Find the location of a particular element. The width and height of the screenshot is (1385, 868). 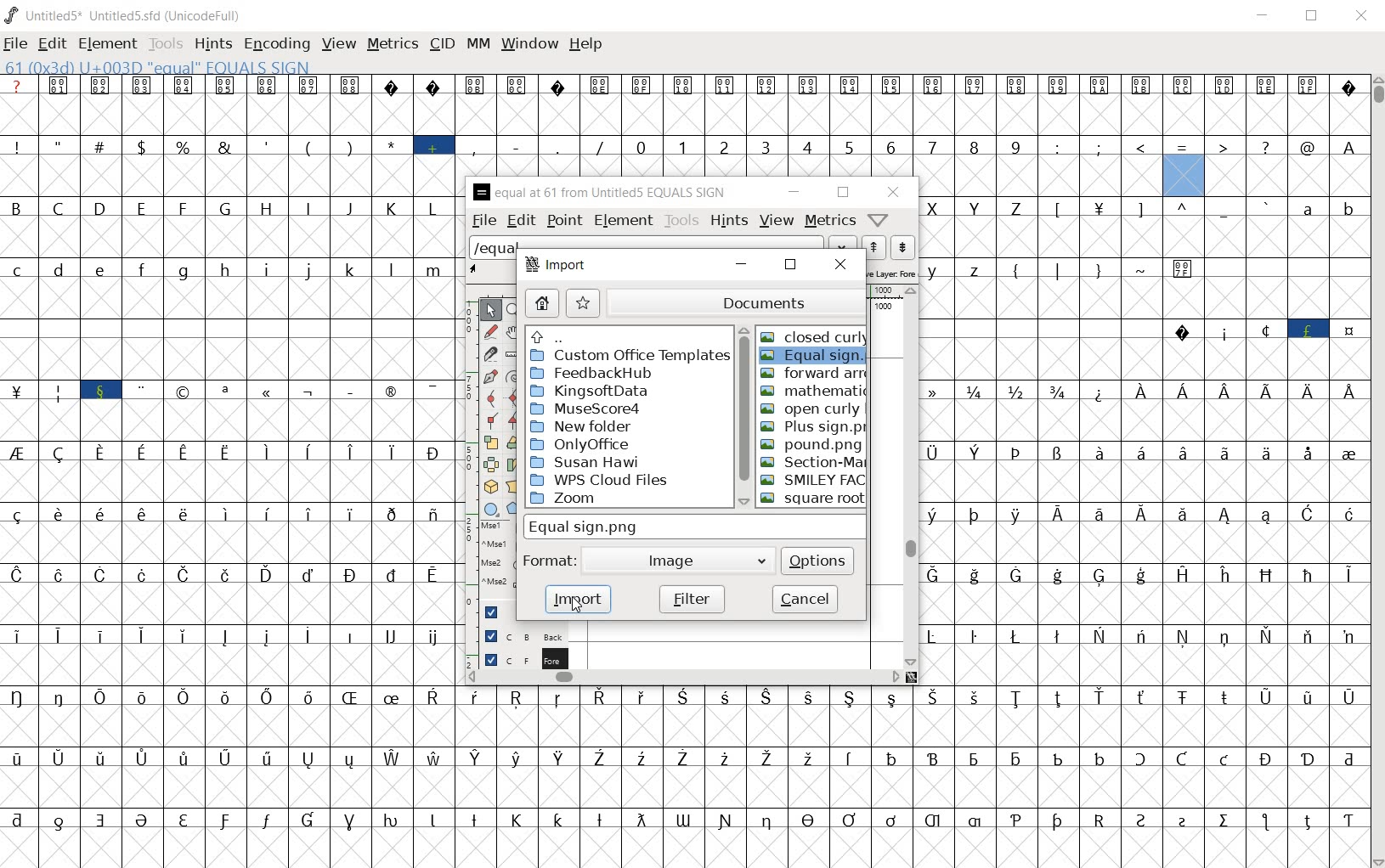

element is located at coordinates (621, 220).